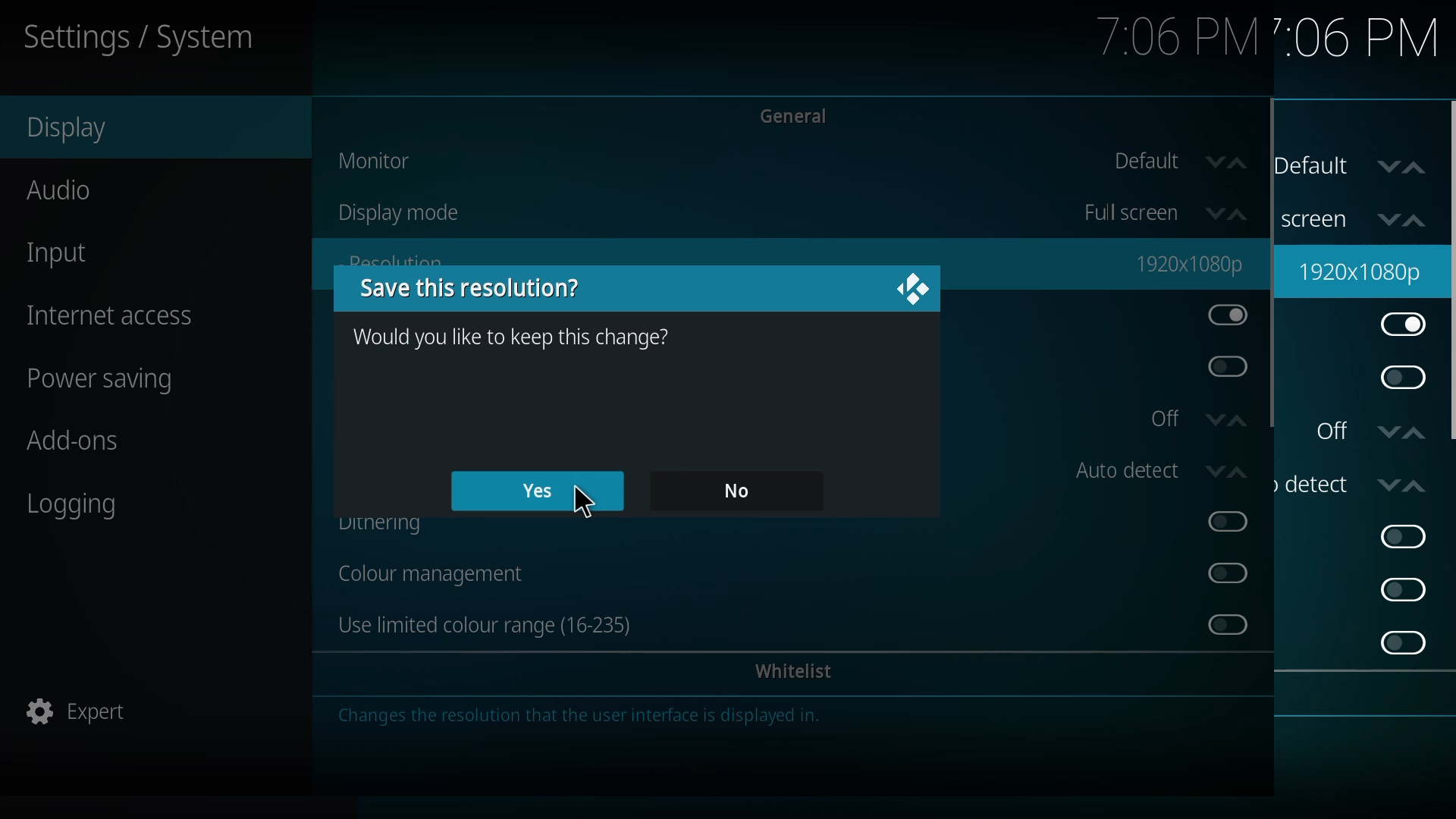 The image size is (1456, 819). Describe the element at coordinates (443, 573) in the screenshot. I see `color management` at that location.